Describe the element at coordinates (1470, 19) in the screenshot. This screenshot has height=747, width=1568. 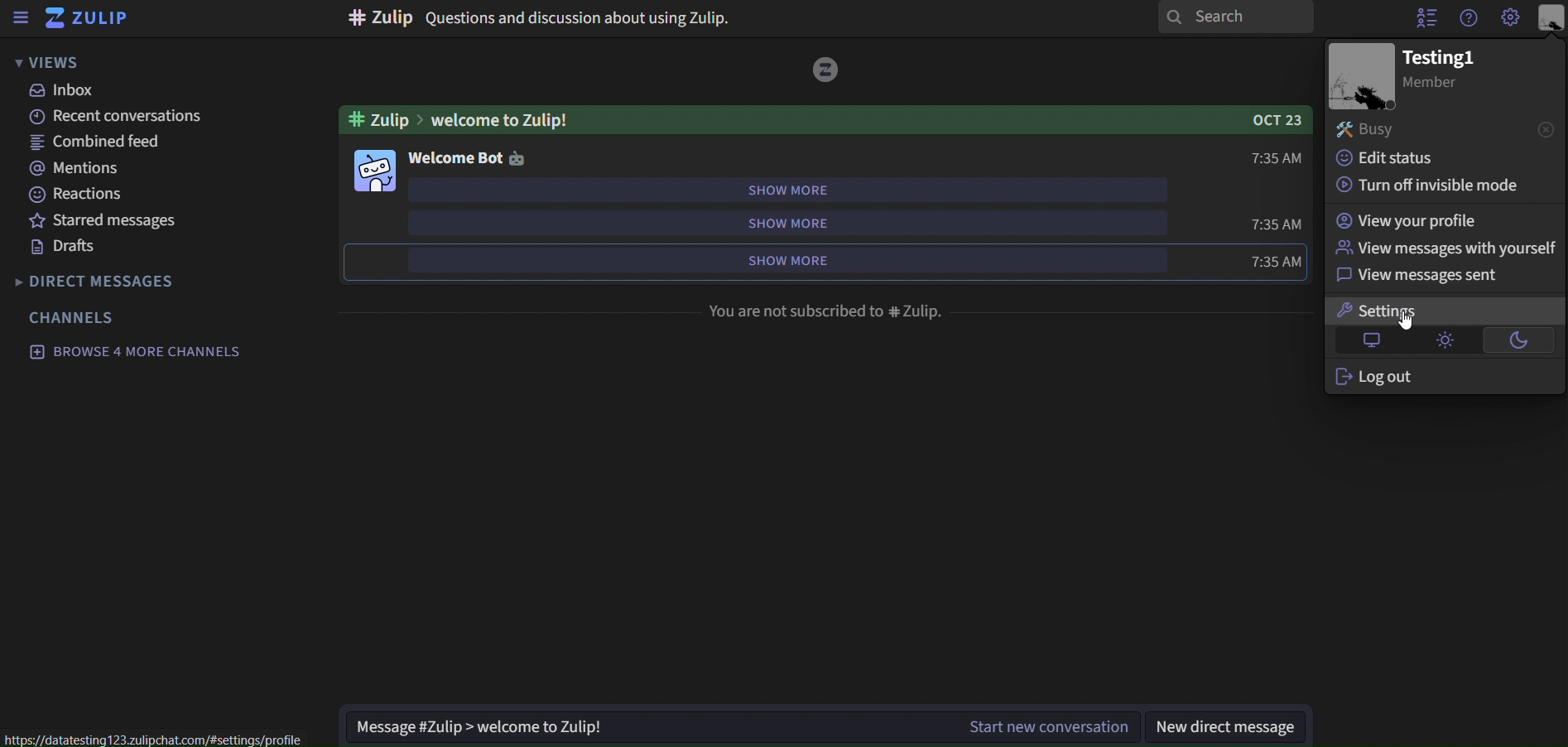
I see `get help` at that location.